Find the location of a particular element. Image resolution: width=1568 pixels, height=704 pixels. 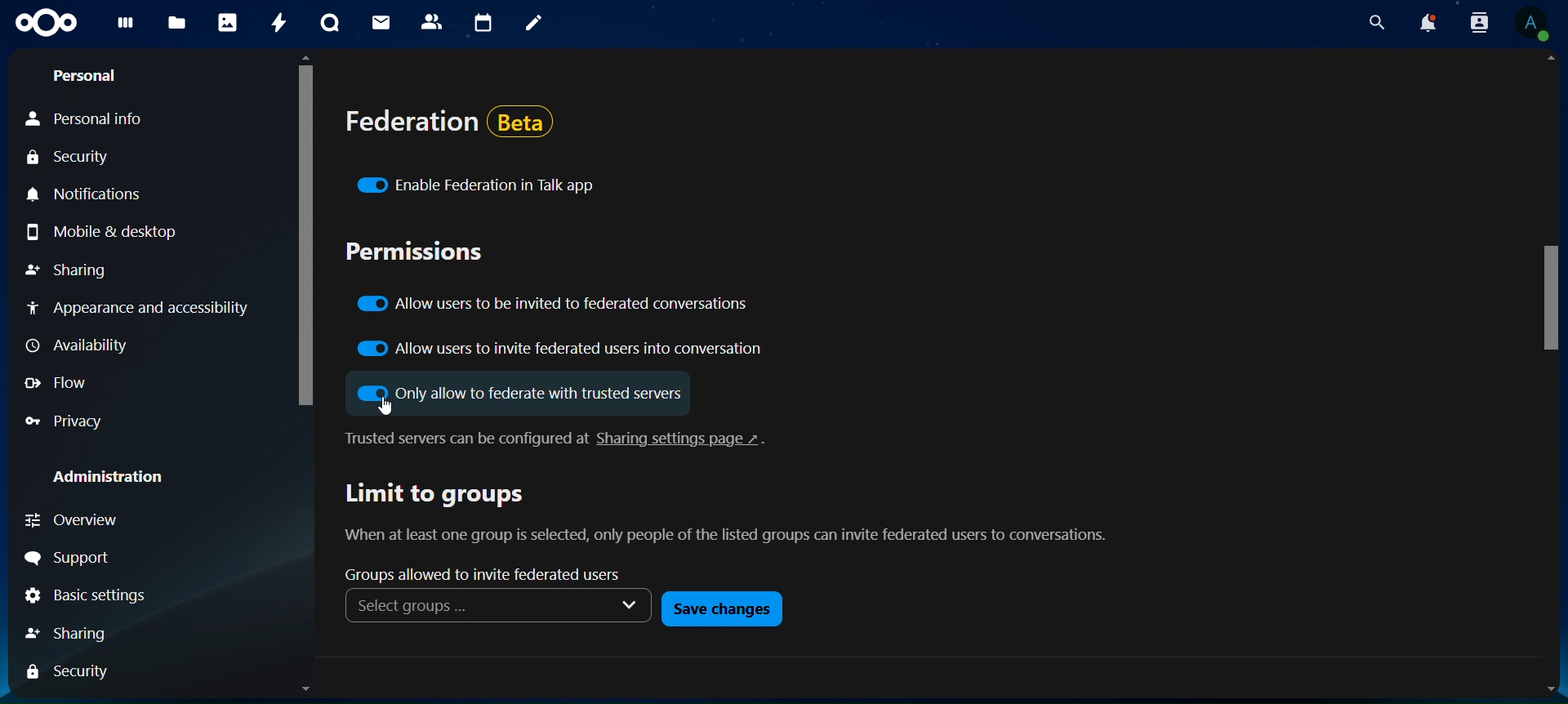

contacts is located at coordinates (433, 21).